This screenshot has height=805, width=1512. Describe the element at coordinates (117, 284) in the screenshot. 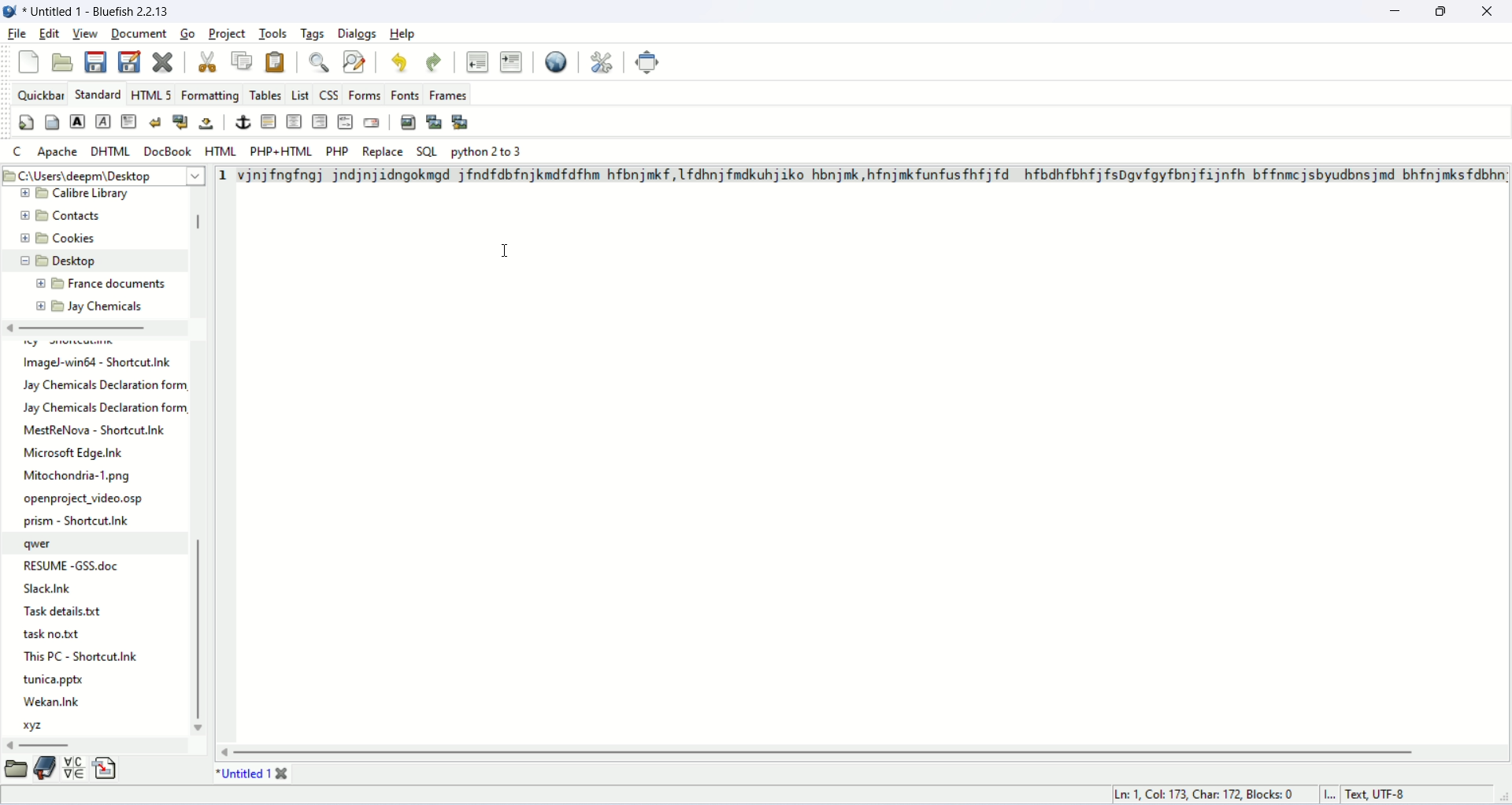

I see `France documents.` at that location.